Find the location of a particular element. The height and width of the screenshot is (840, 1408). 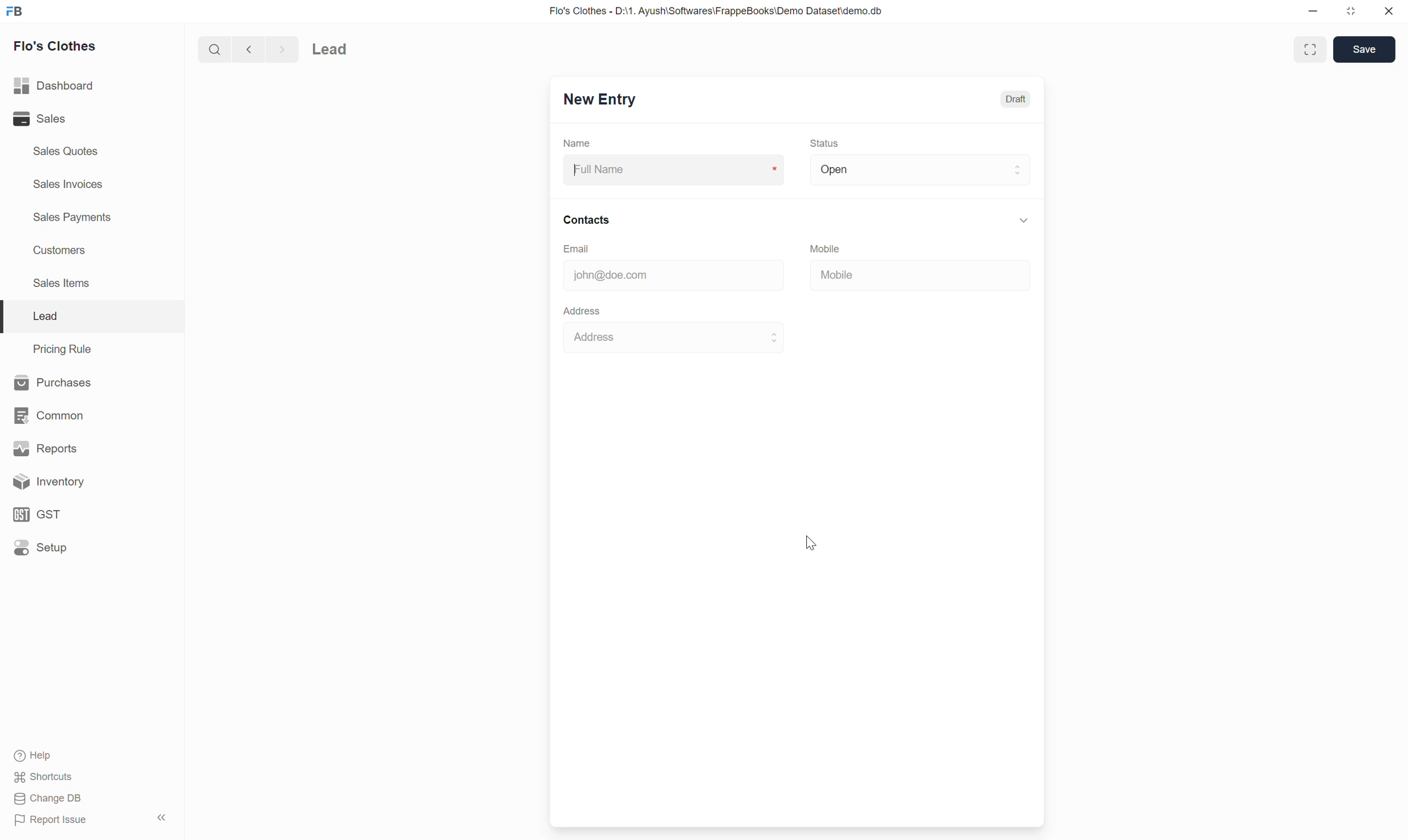

$f Shortcuts is located at coordinates (45, 775).